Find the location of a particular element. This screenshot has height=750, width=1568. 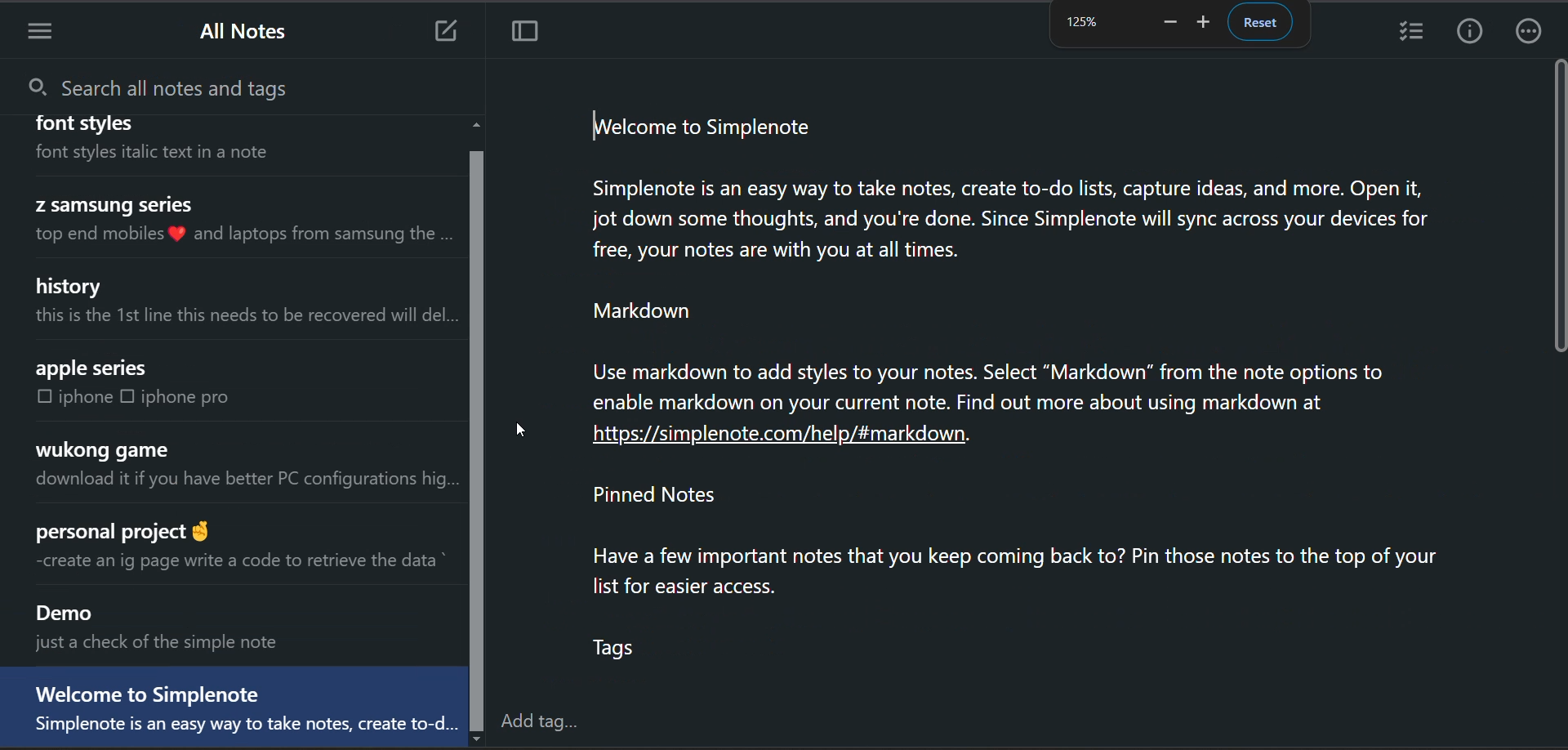

zoom in is located at coordinates (1208, 25).